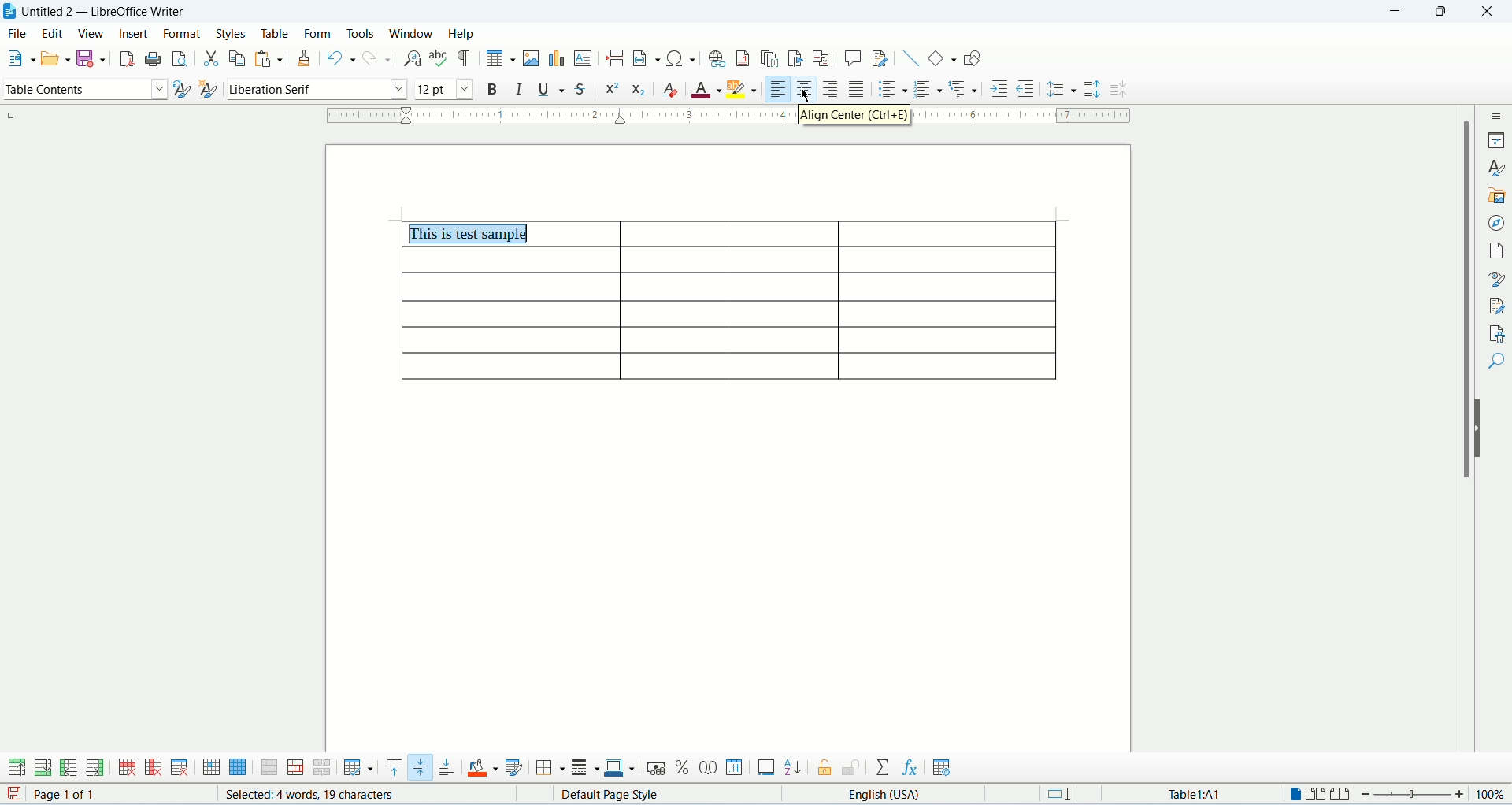 The image size is (1512, 805). I want to click on superscript, so click(613, 92).